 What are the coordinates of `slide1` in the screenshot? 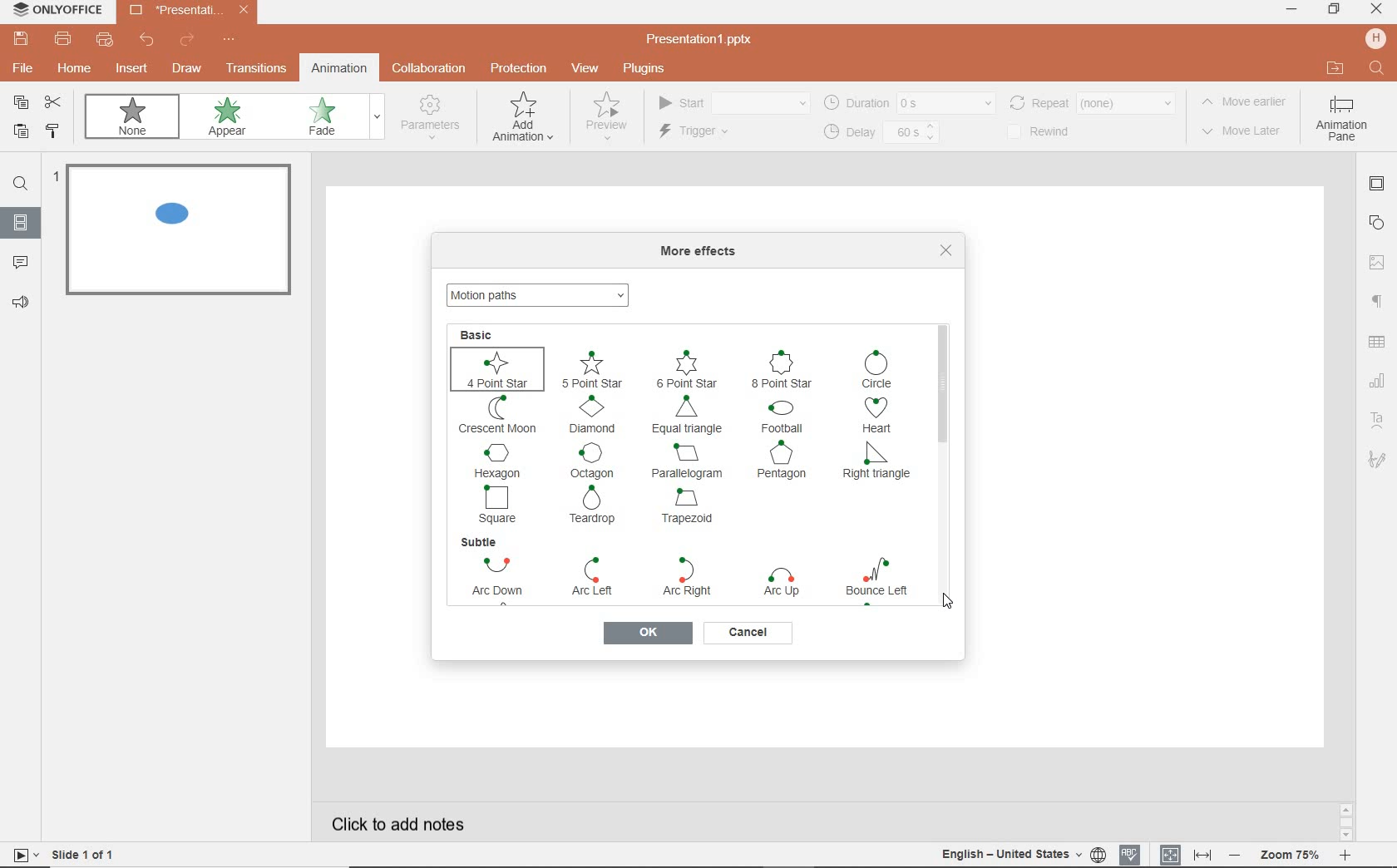 It's located at (183, 233).